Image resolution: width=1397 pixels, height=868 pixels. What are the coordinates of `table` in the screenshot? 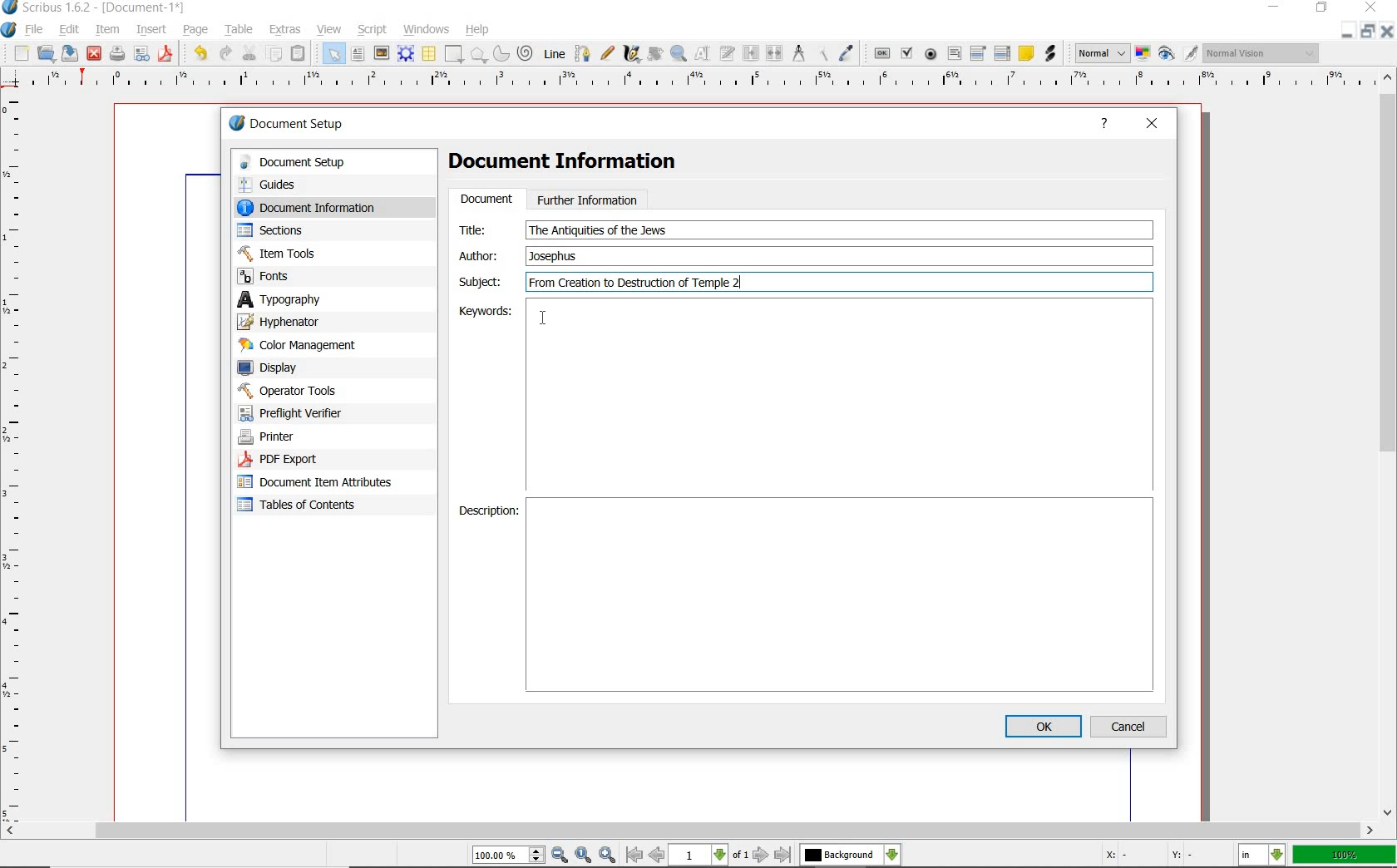 It's located at (428, 53).